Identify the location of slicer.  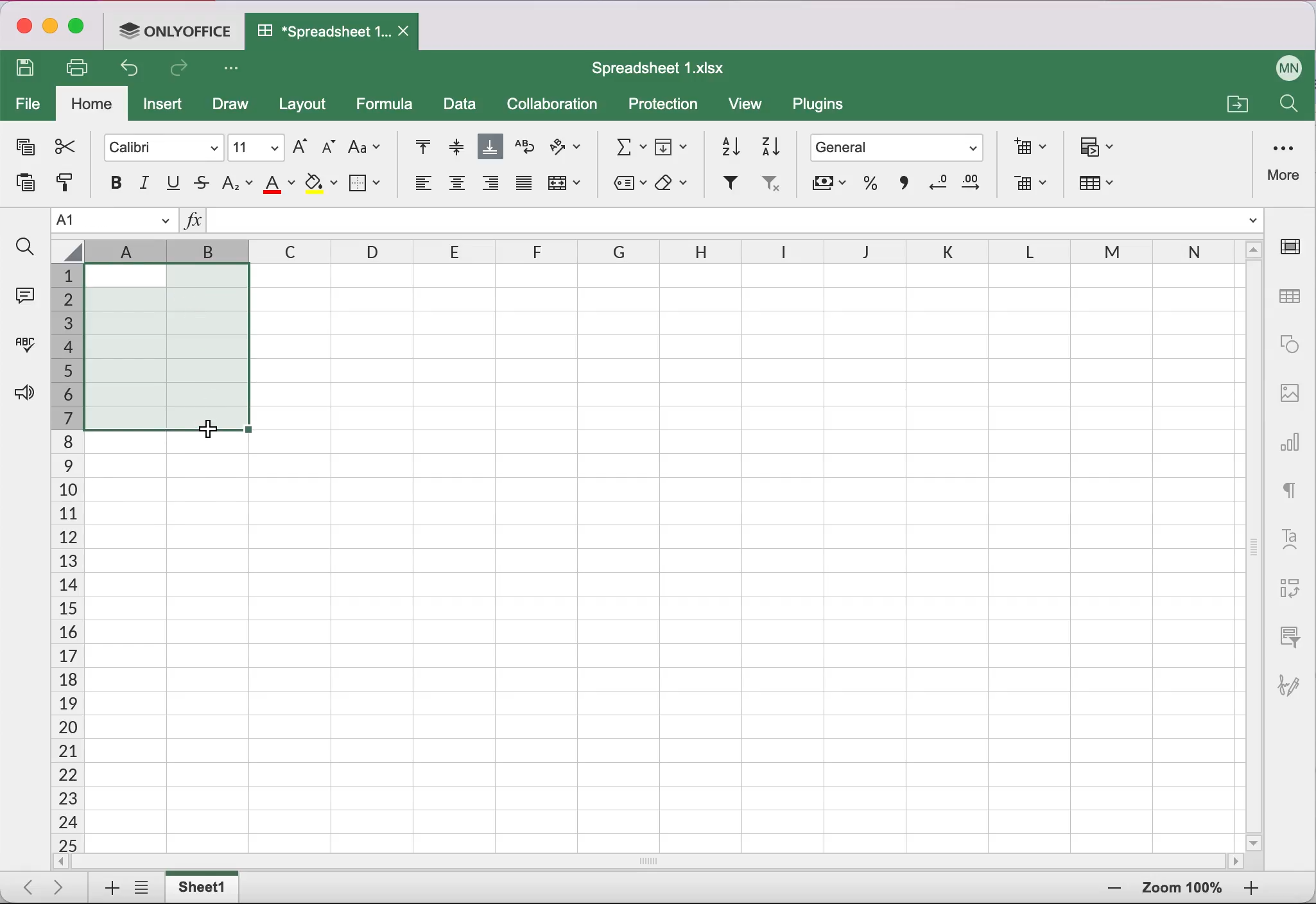
(1287, 636).